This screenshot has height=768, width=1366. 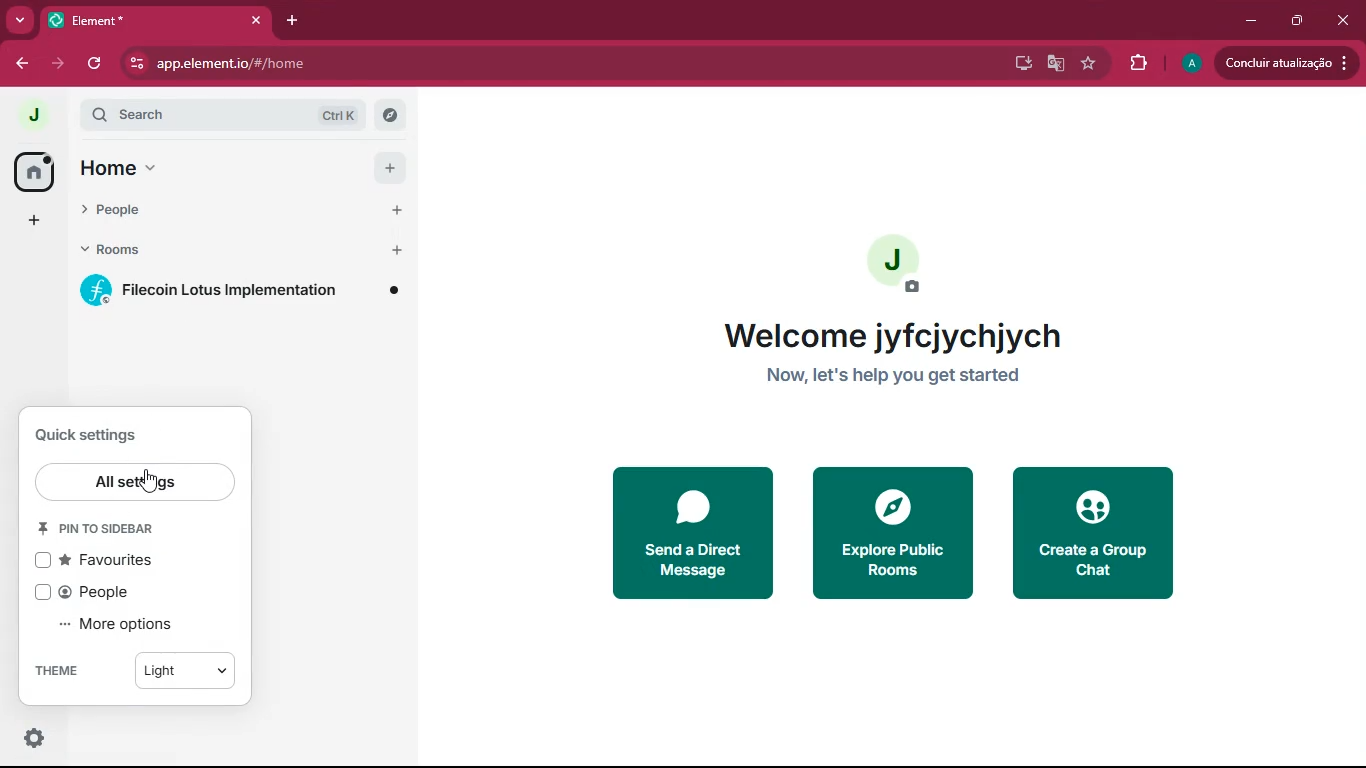 What do you see at coordinates (125, 625) in the screenshot?
I see `more options` at bounding box center [125, 625].